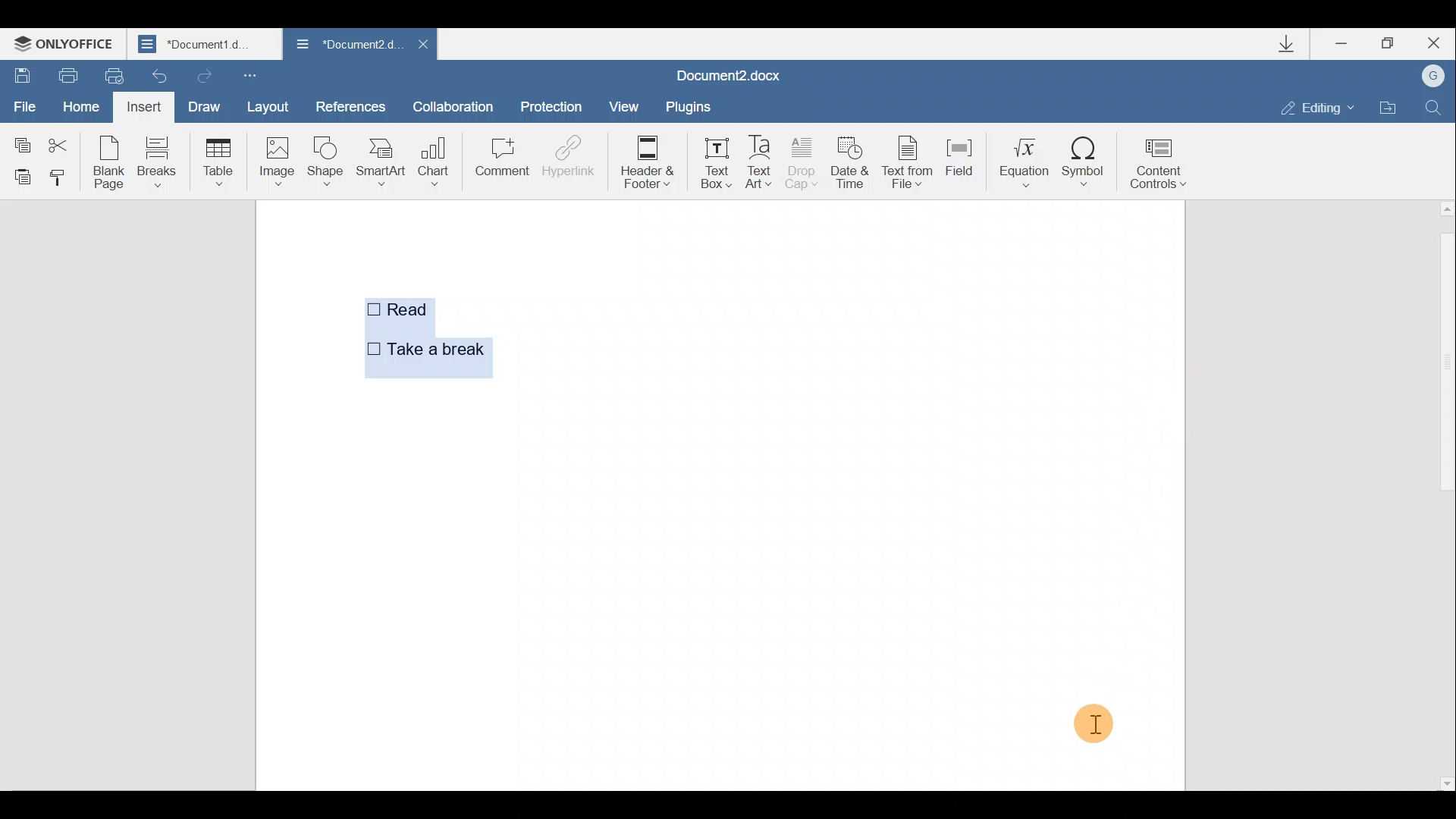 This screenshot has width=1456, height=819. Describe the element at coordinates (1162, 167) in the screenshot. I see `Content controls` at that location.